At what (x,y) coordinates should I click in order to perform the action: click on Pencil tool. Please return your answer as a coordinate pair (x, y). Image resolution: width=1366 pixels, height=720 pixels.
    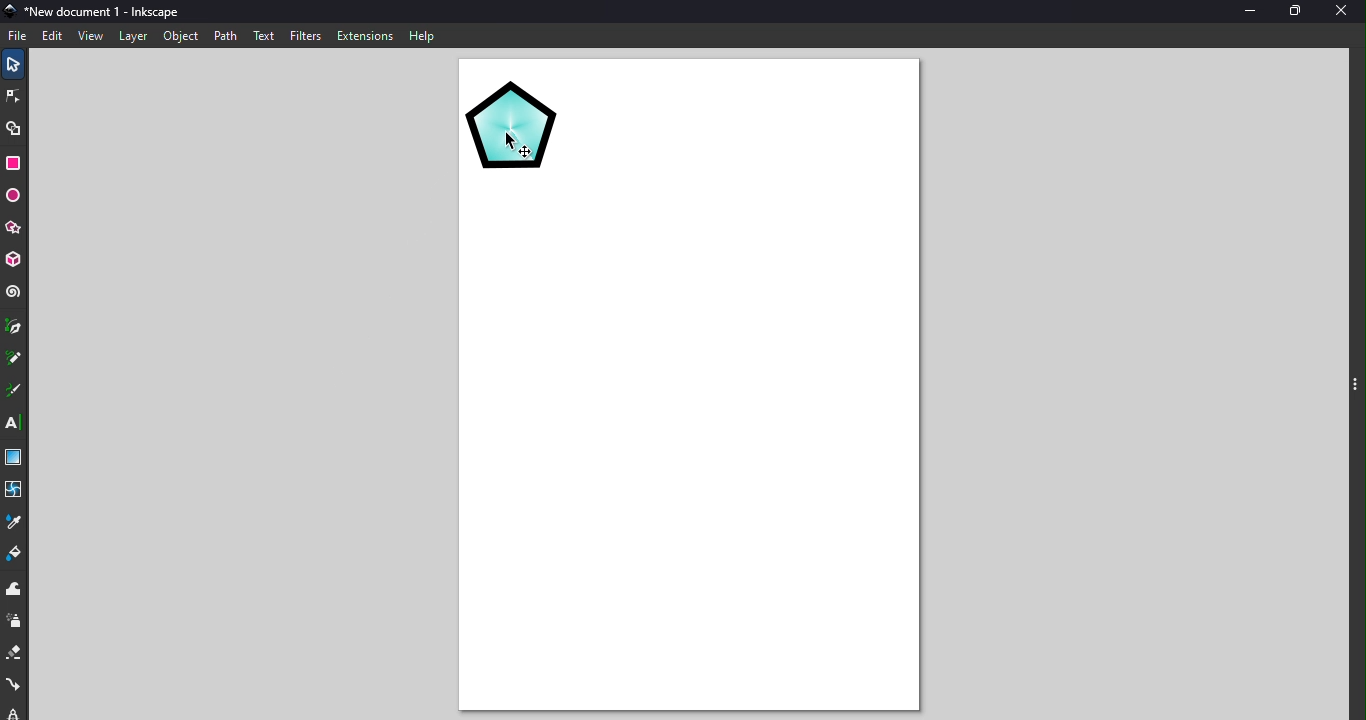
    Looking at the image, I should click on (13, 357).